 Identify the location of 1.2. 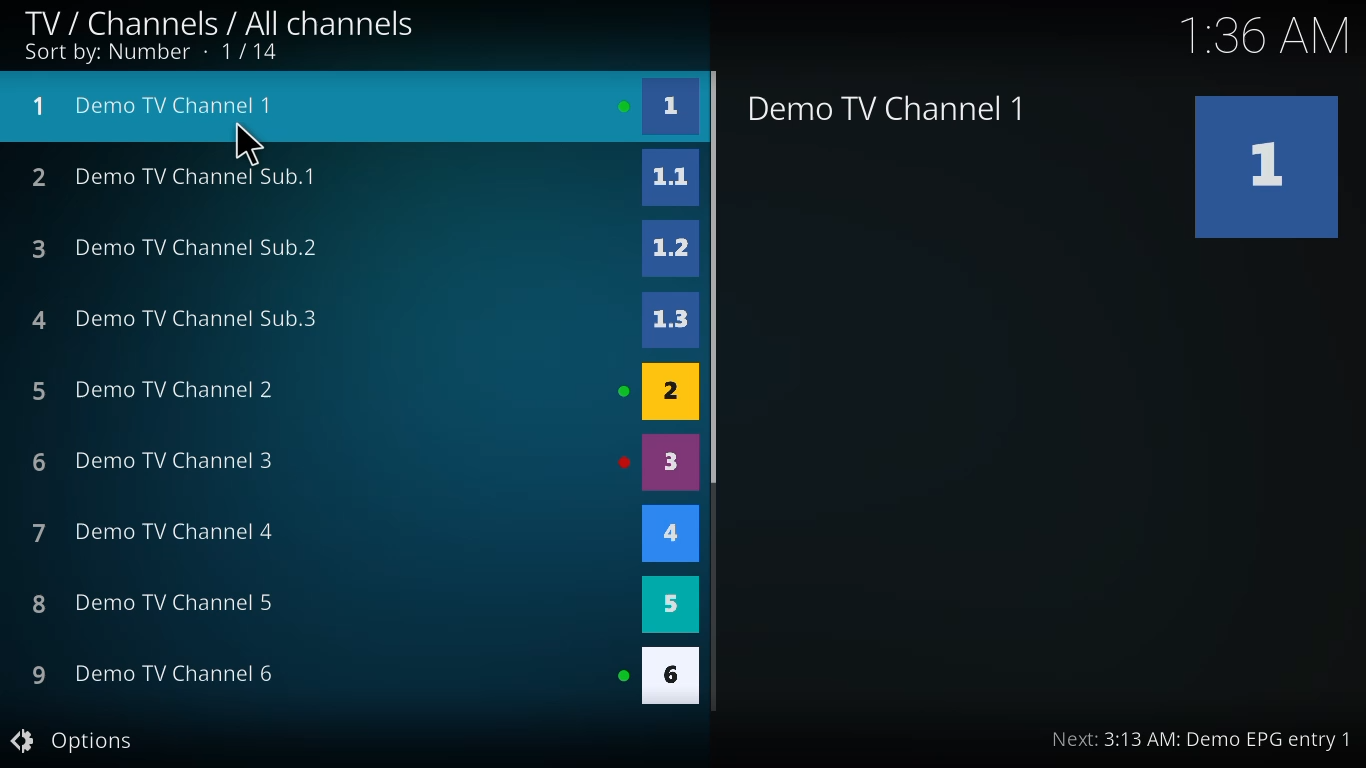
(671, 244).